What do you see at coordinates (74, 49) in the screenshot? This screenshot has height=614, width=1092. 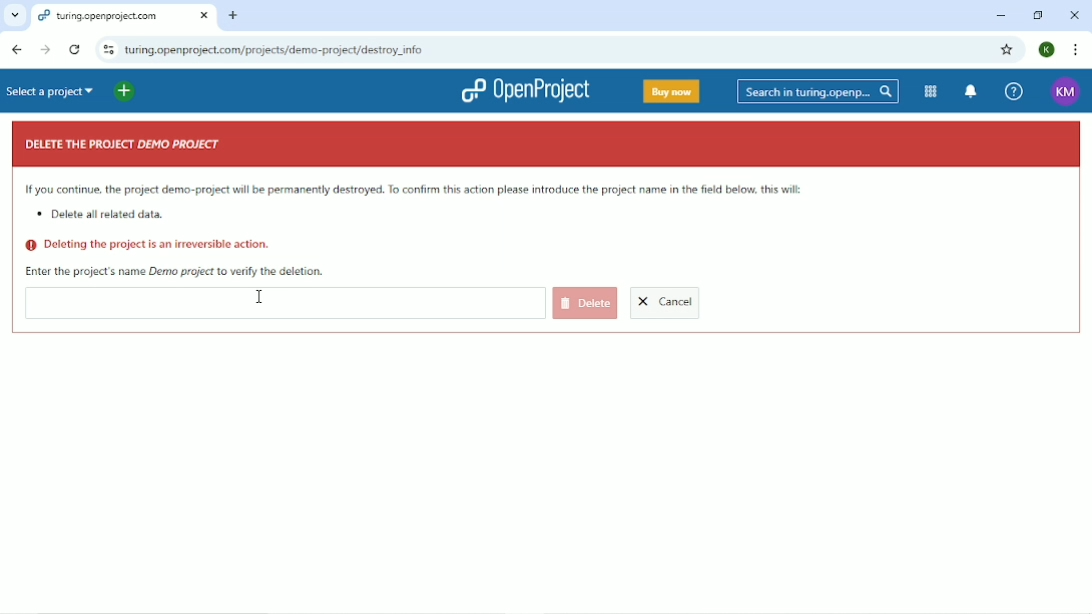 I see `Reload this page` at bounding box center [74, 49].